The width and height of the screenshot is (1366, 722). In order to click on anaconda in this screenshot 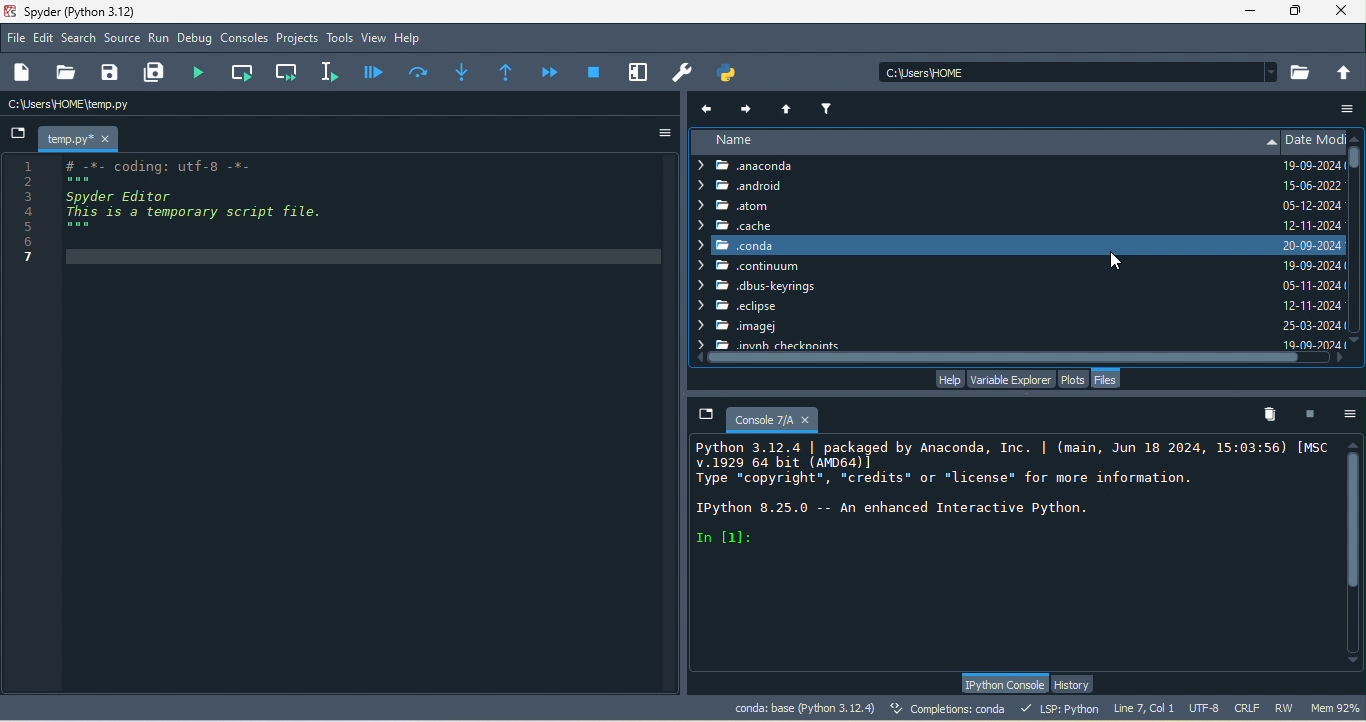, I will do `click(761, 166)`.